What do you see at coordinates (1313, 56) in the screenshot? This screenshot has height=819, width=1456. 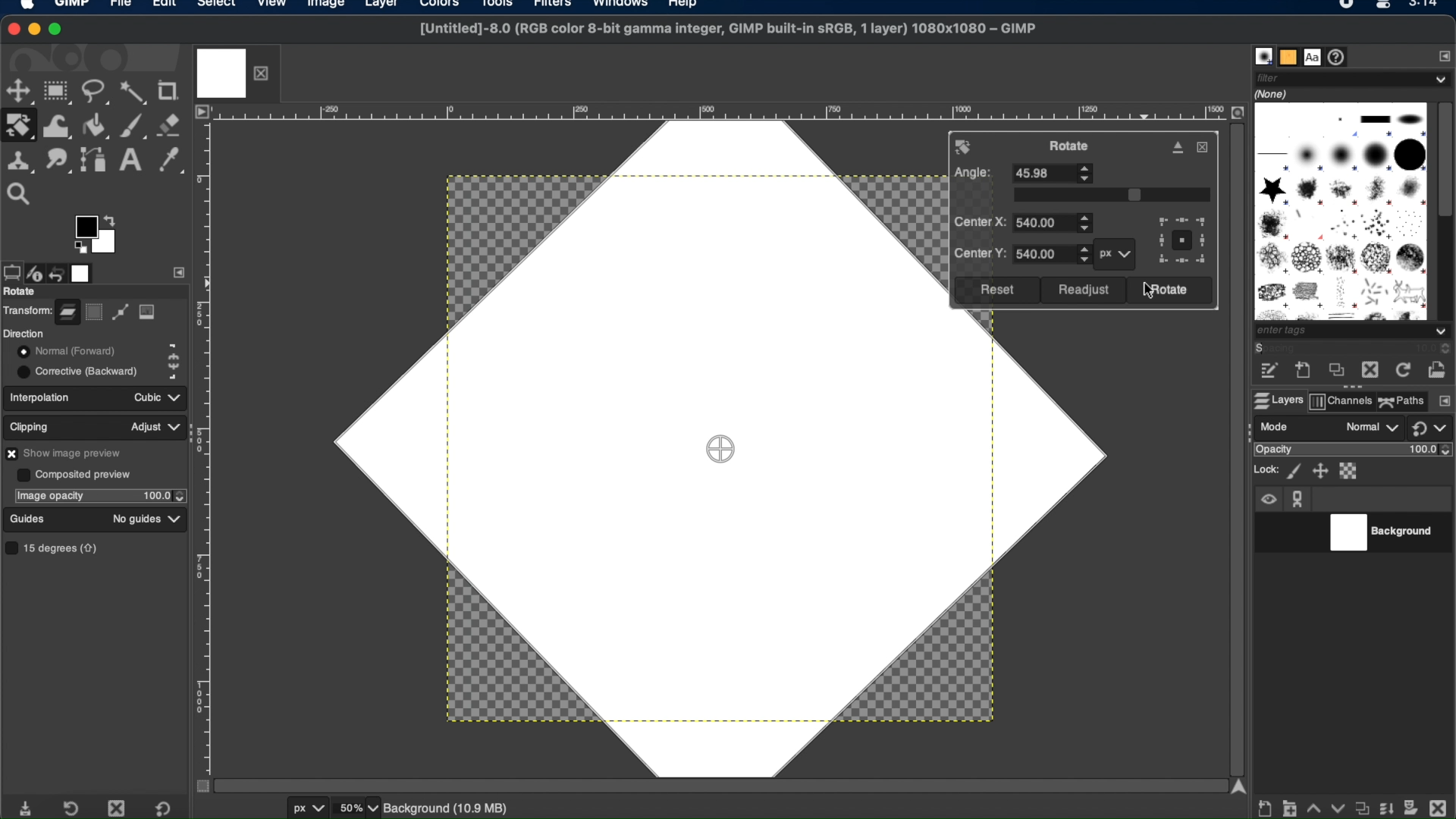 I see `fonts` at bounding box center [1313, 56].